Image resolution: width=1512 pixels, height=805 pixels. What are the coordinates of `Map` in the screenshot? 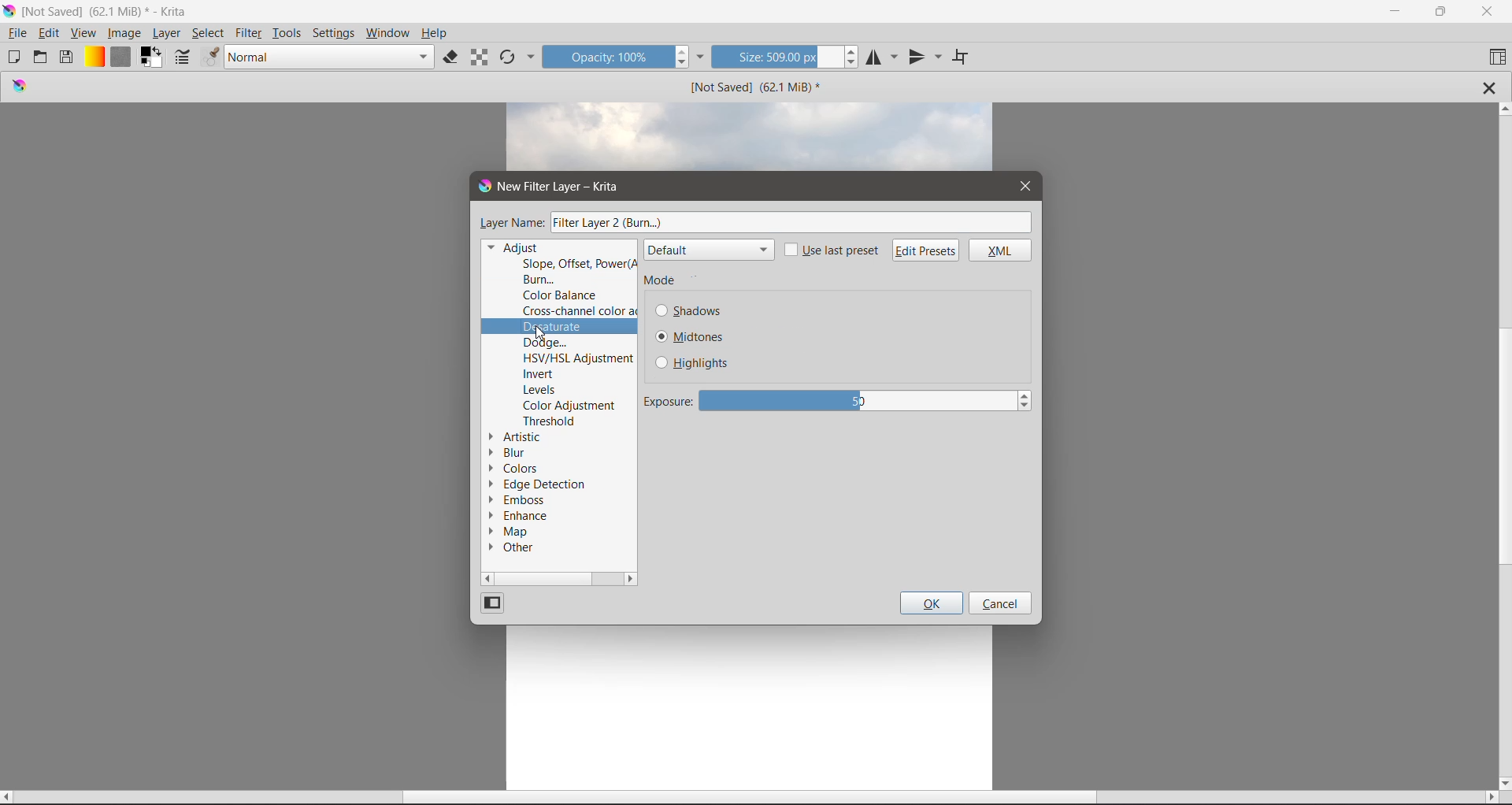 It's located at (512, 532).